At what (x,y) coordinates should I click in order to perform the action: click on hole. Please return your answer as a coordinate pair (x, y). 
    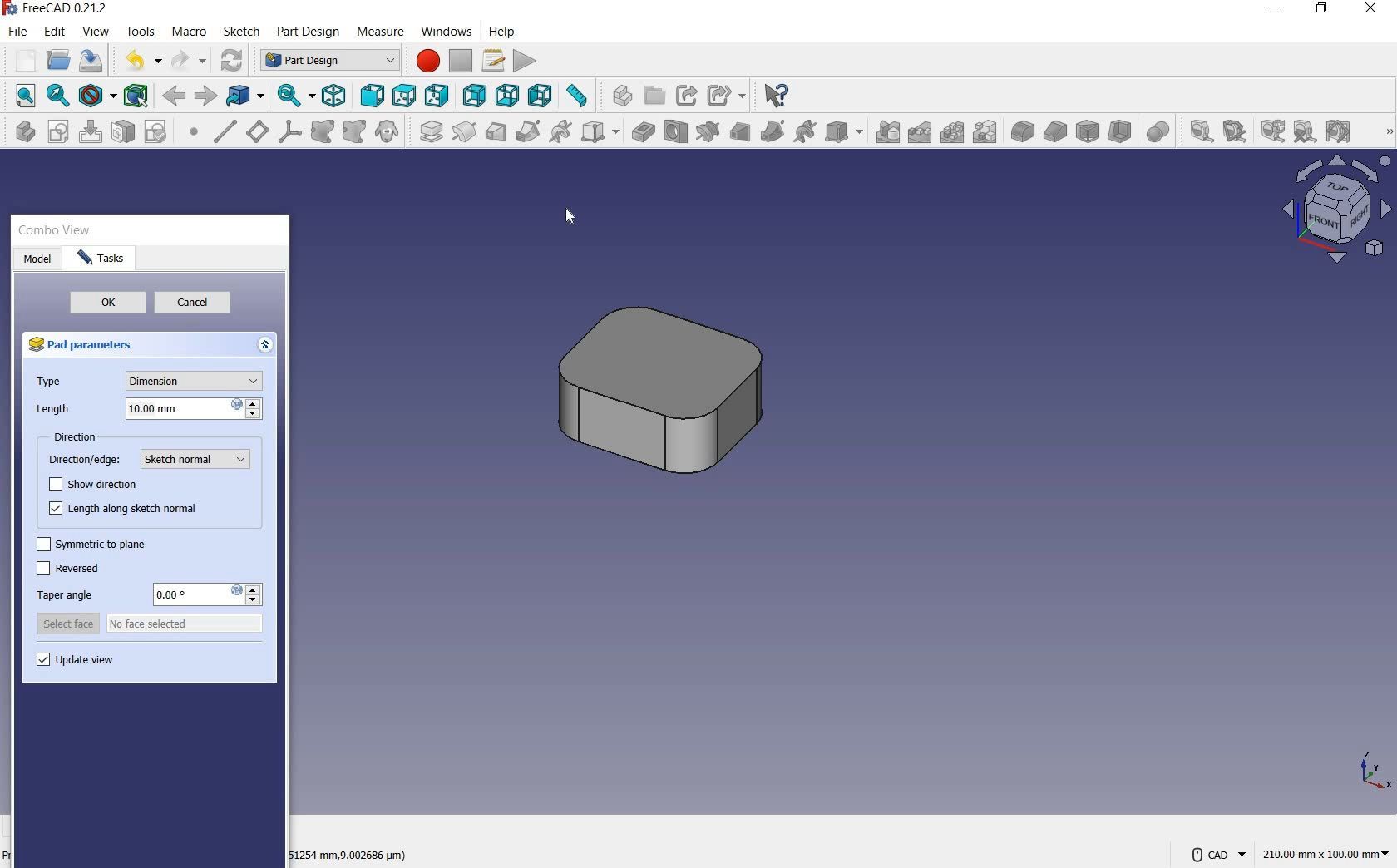
    Looking at the image, I should click on (675, 132).